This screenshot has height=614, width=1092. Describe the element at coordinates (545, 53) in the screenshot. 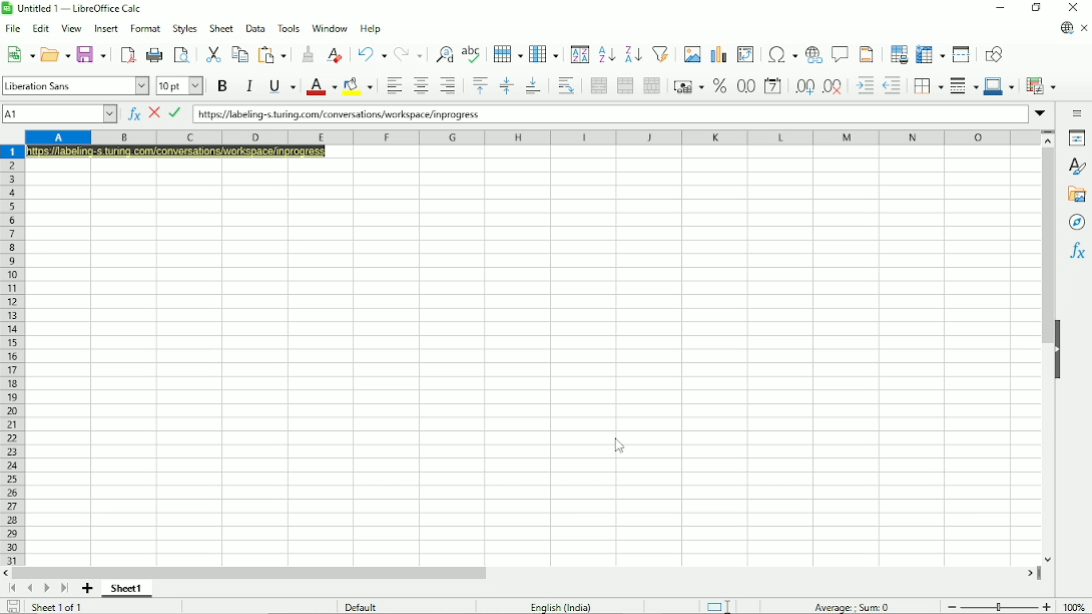

I see `Column` at that location.